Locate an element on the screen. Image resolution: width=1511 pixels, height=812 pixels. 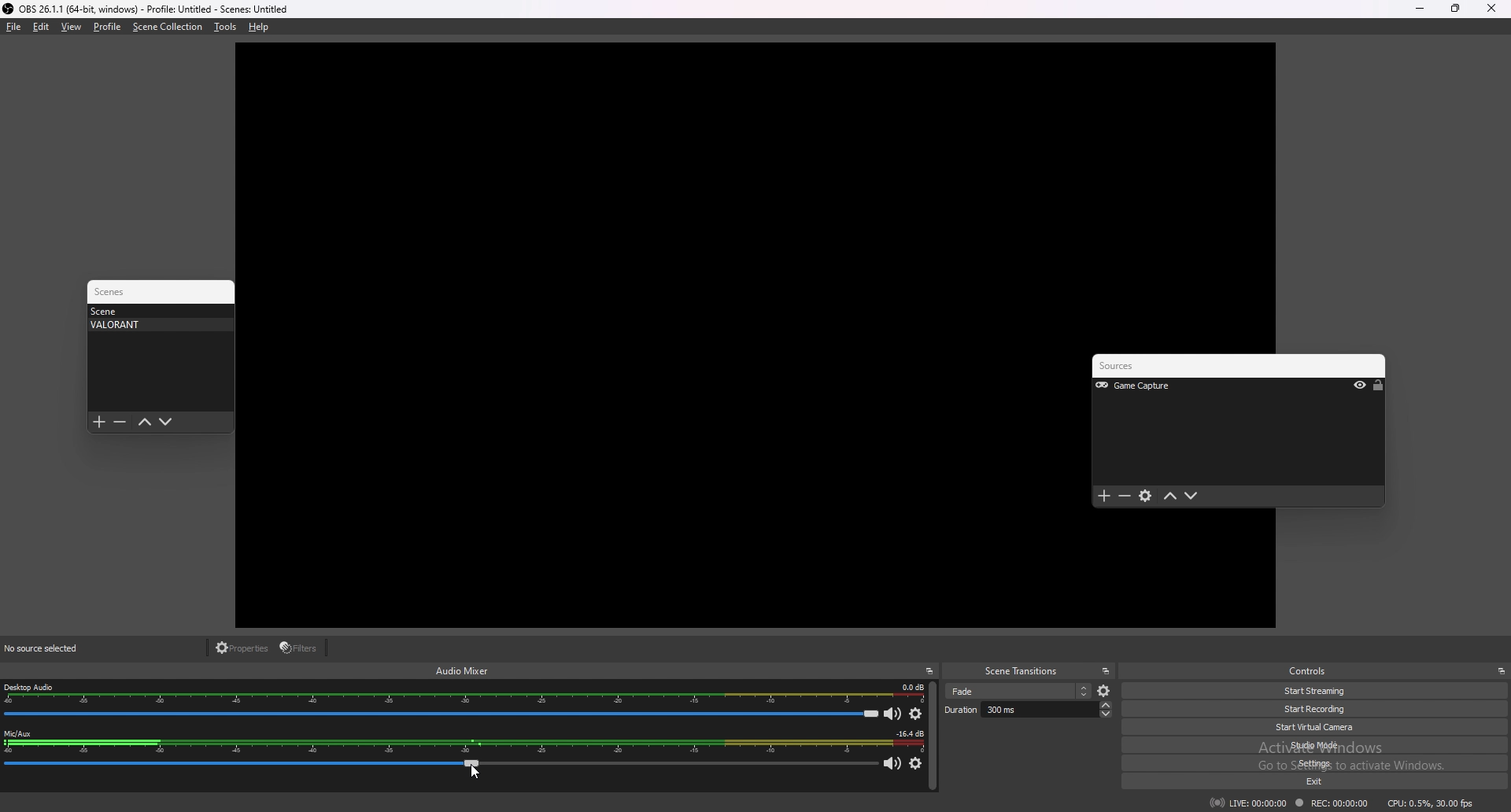
VALORANT is located at coordinates (156, 325).